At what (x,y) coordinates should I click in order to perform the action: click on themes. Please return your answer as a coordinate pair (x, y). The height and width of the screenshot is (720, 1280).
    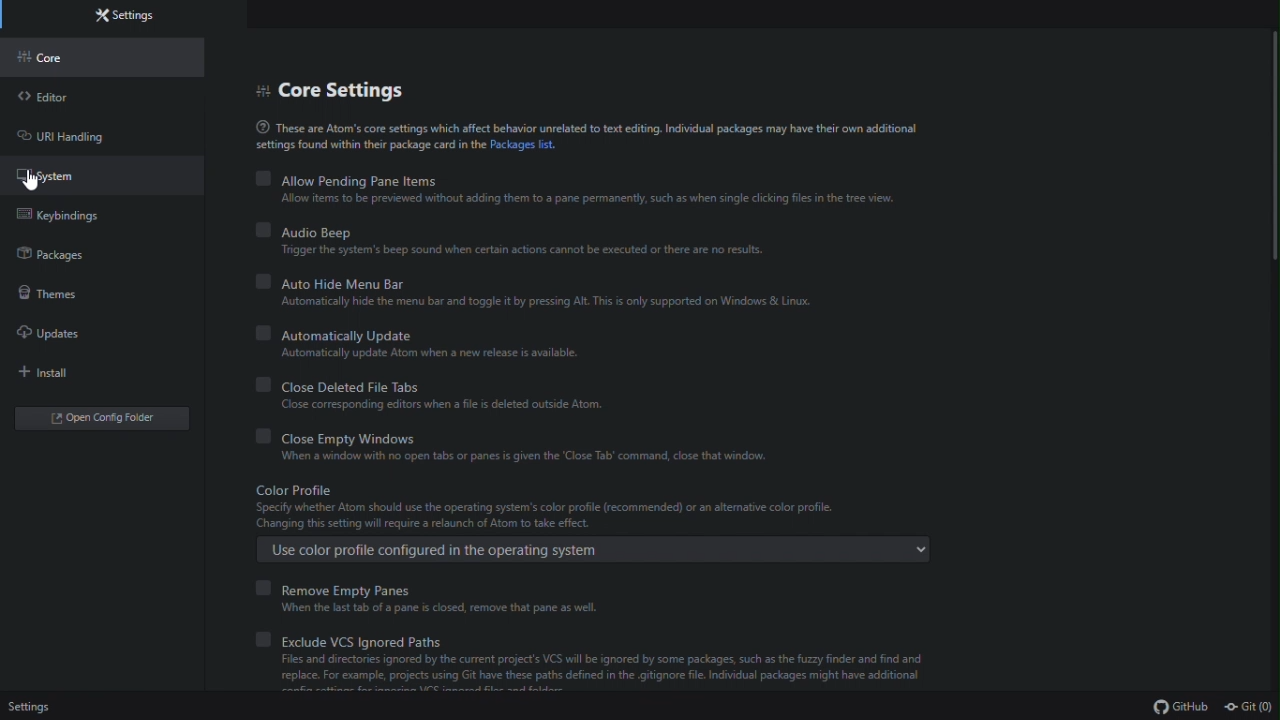
    Looking at the image, I should click on (55, 297).